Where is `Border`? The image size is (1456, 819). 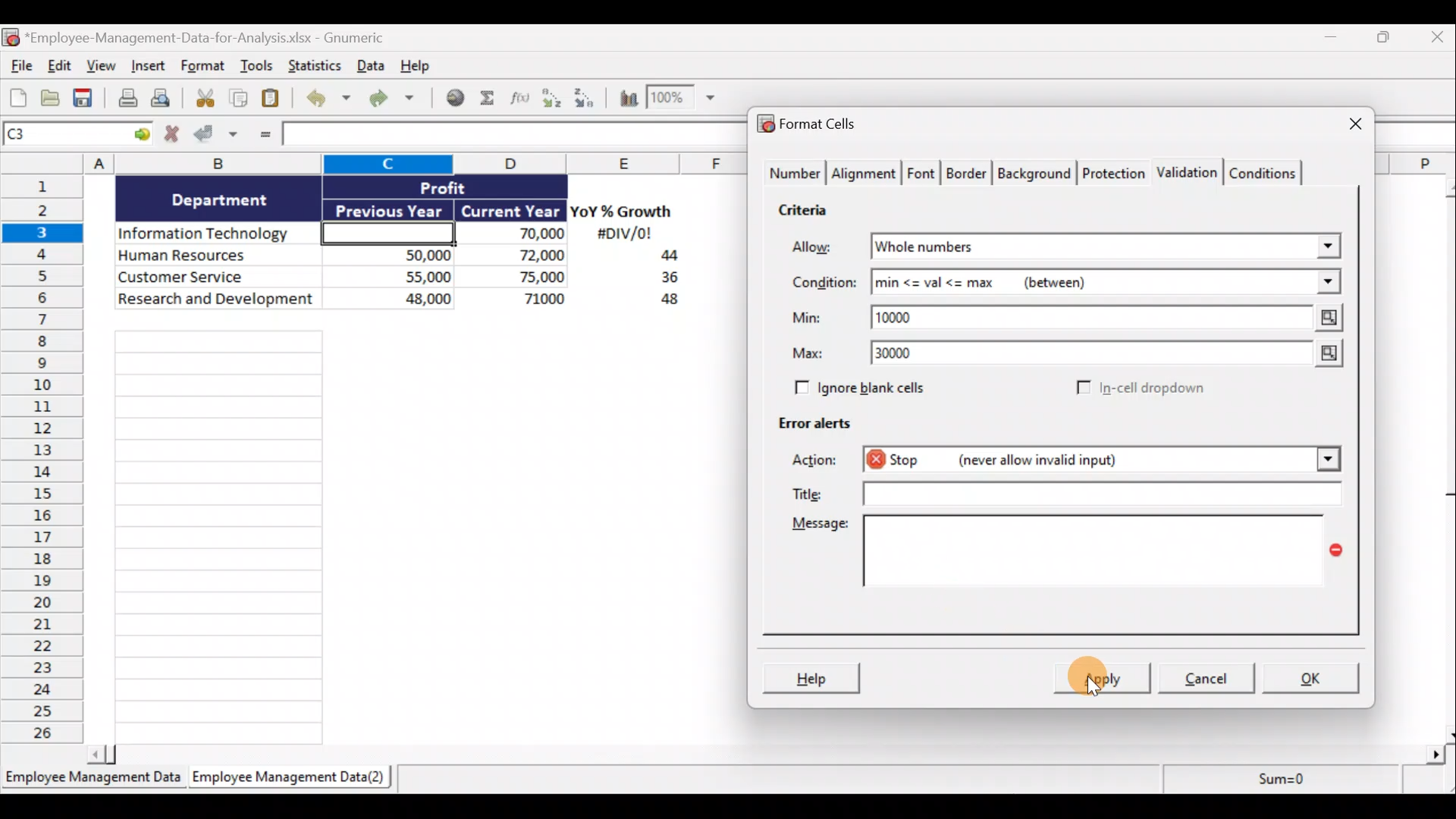
Border is located at coordinates (968, 174).